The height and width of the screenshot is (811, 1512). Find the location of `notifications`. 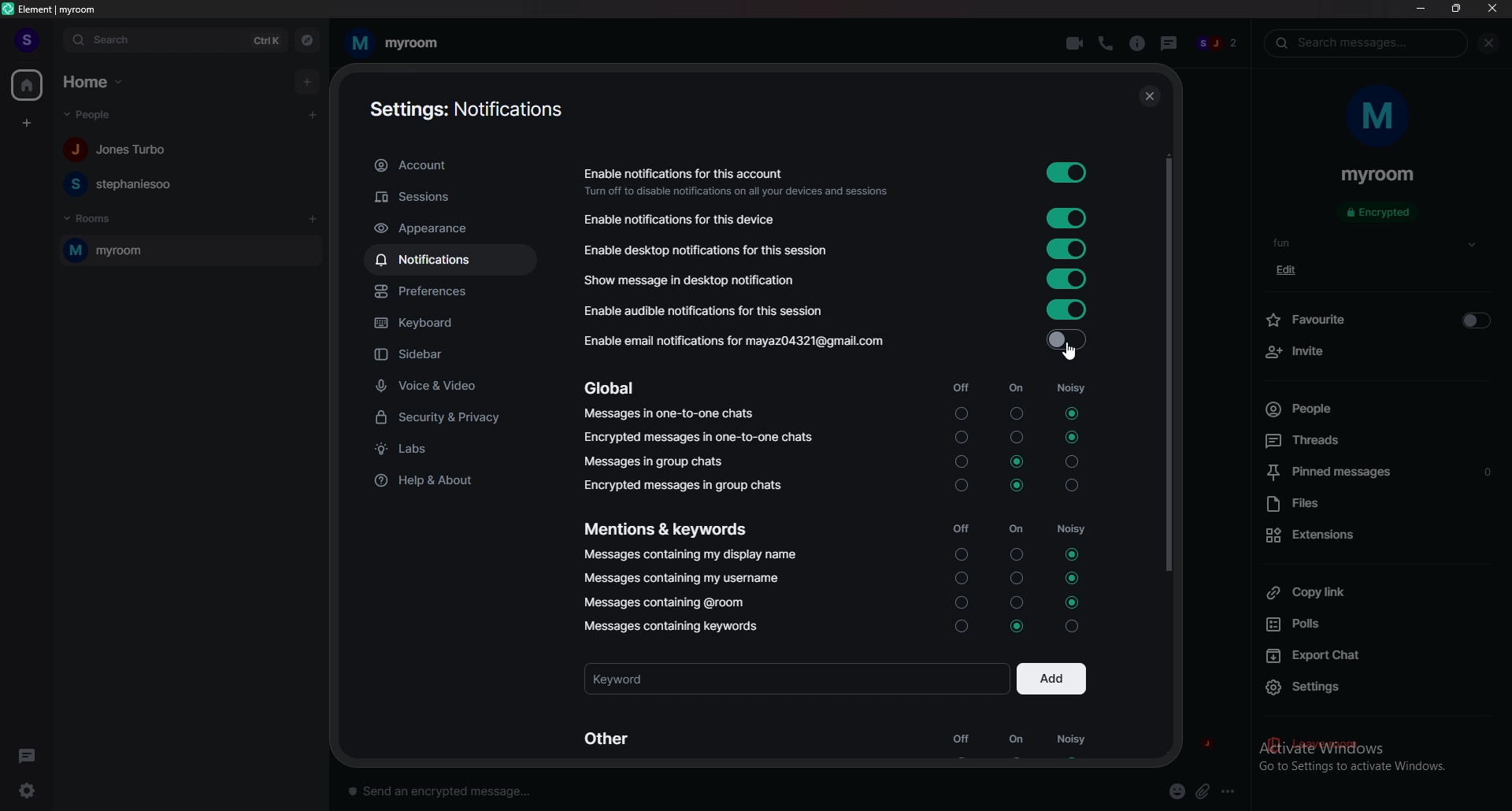

notifications is located at coordinates (454, 259).